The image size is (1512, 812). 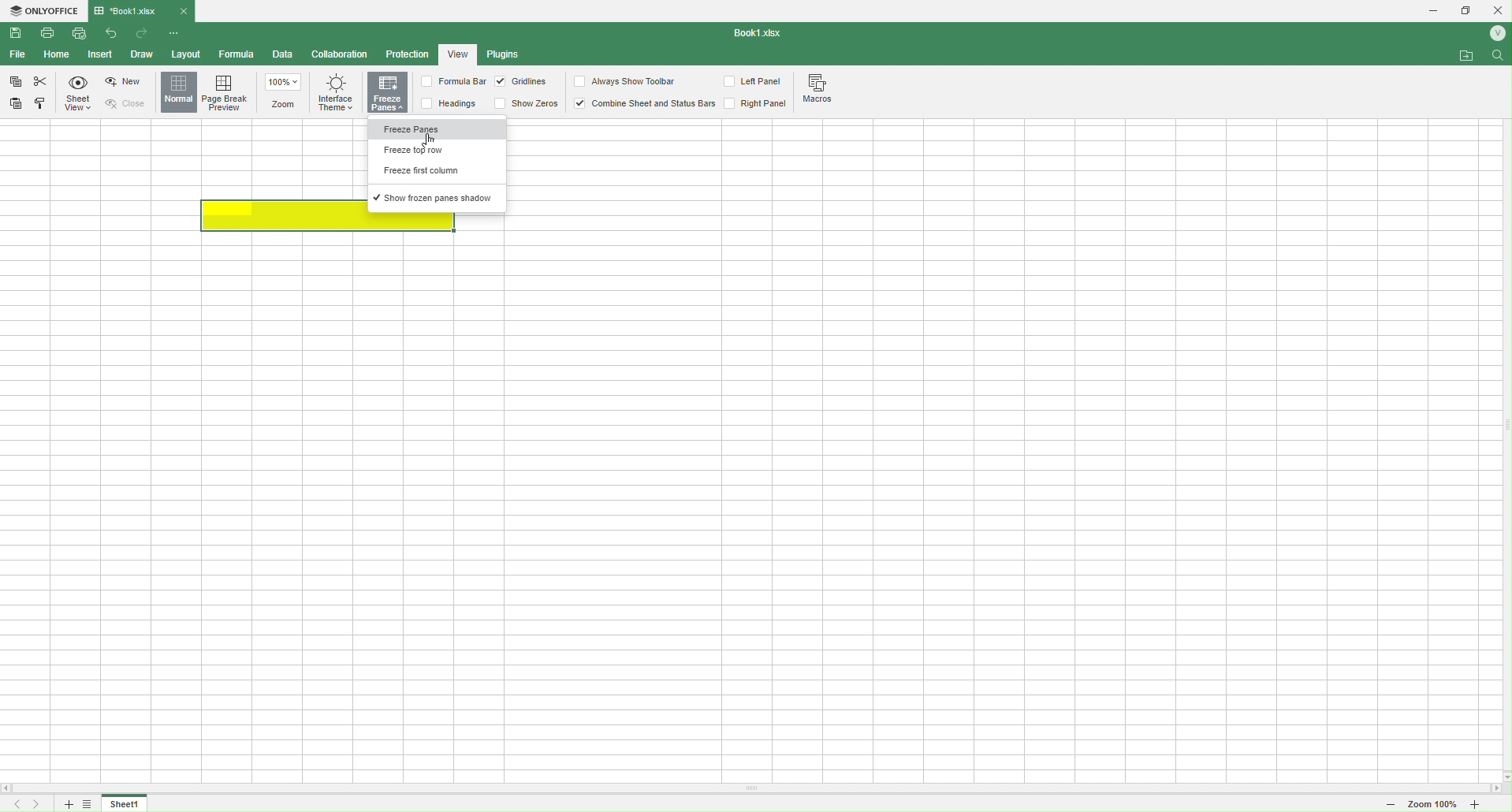 I want to click on Save, so click(x=17, y=33).